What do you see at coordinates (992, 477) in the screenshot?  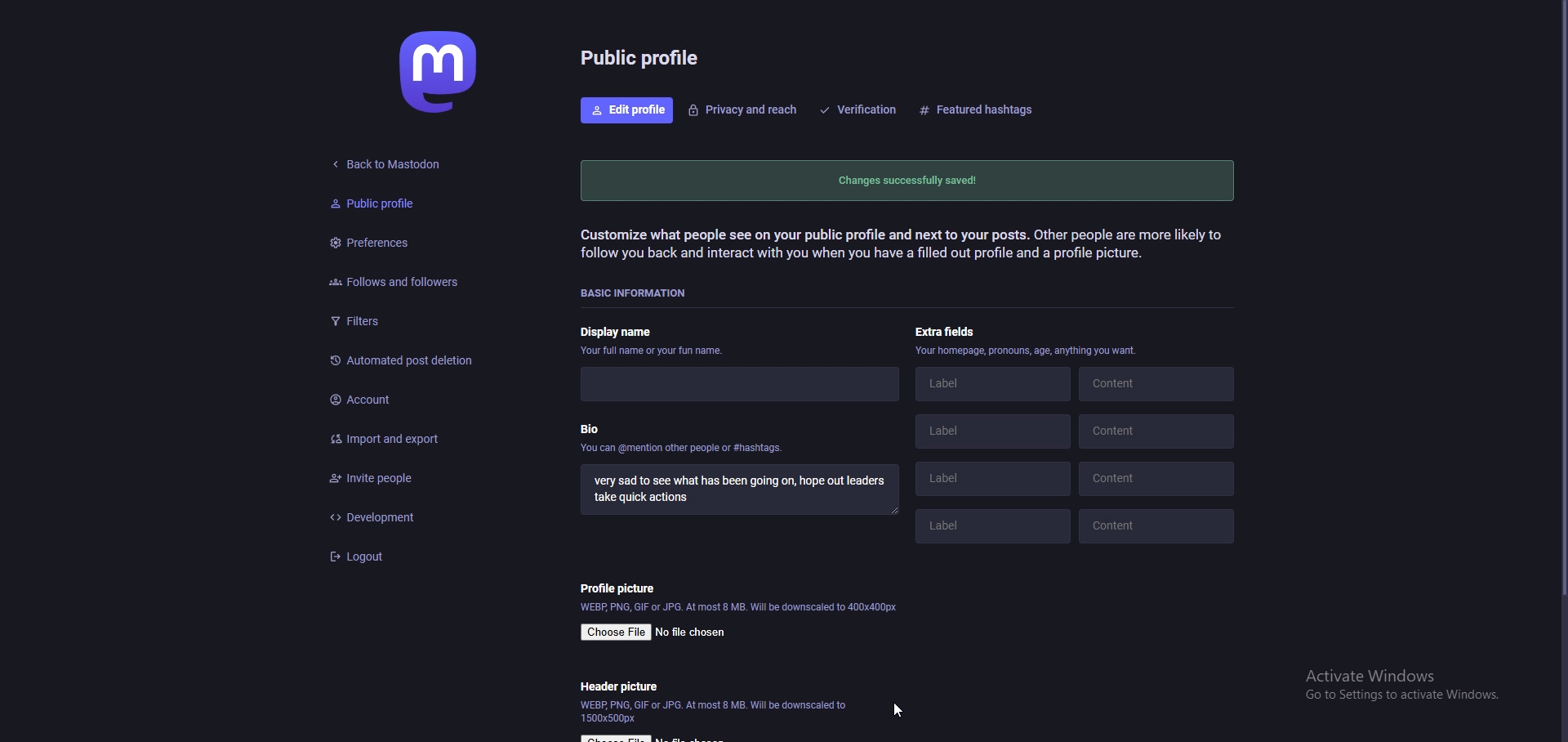 I see `label` at bounding box center [992, 477].